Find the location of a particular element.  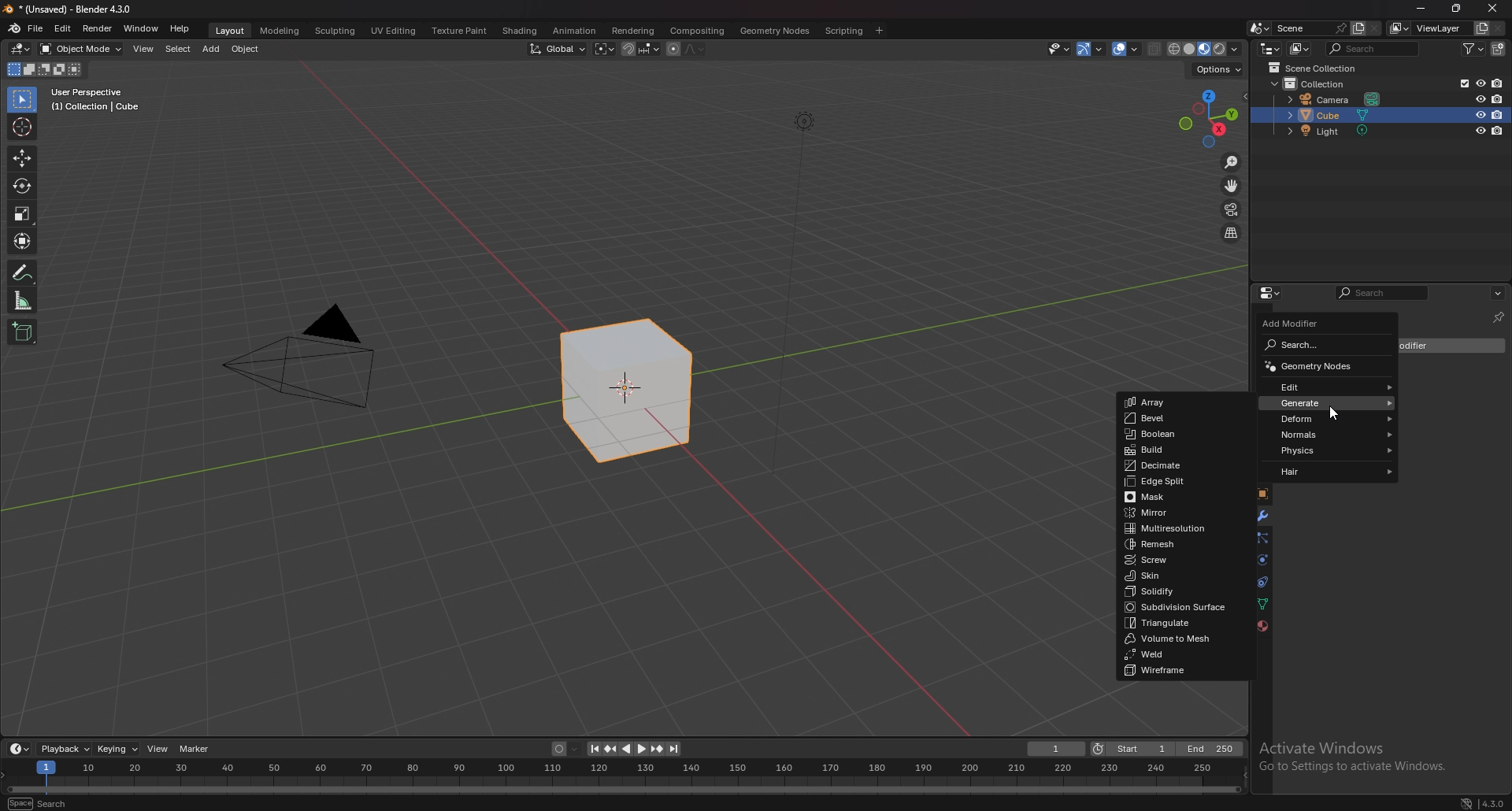

close is located at coordinates (1494, 8).